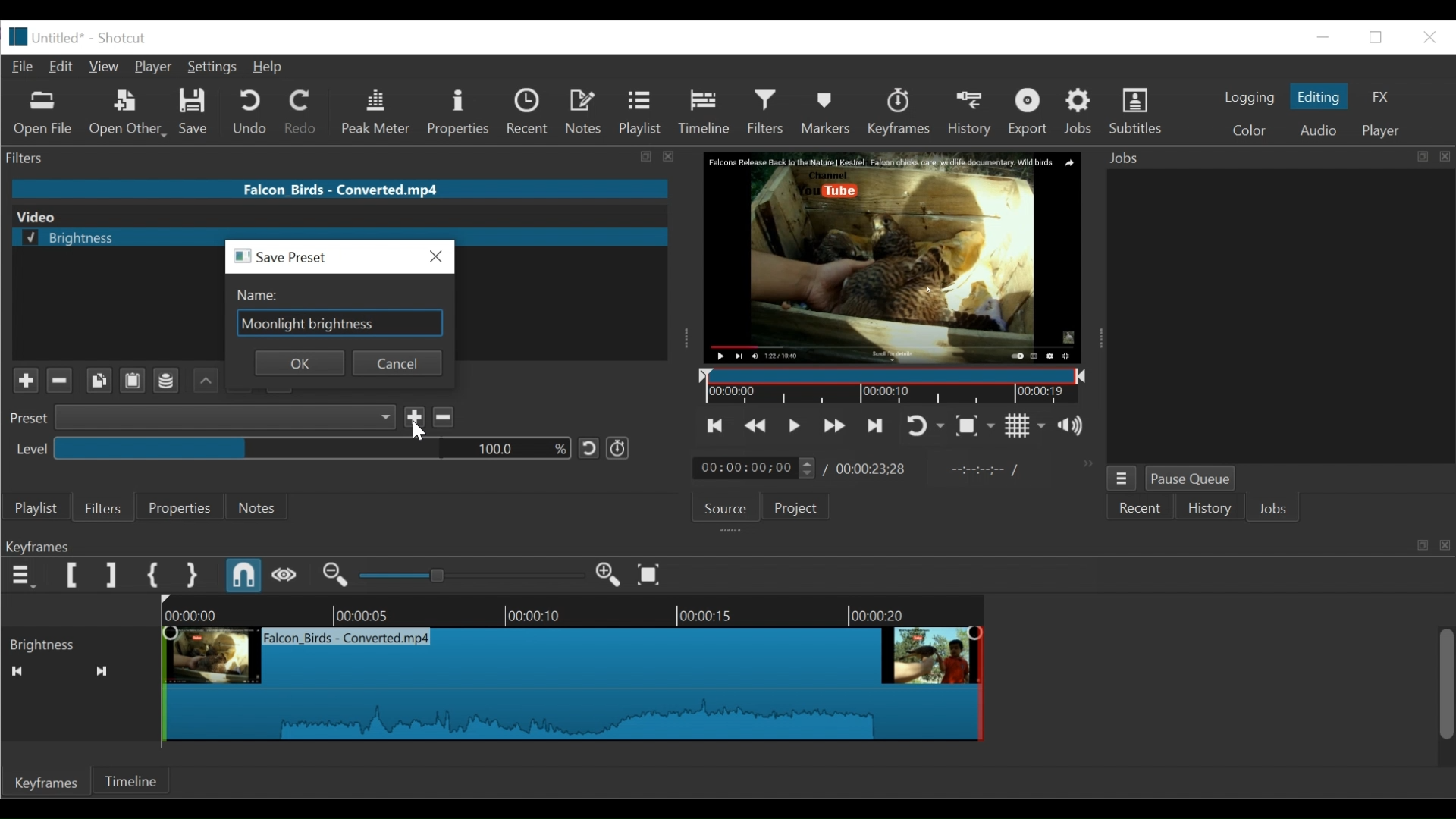 The height and width of the screenshot is (819, 1456). Describe the element at coordinates (245, 576) in the screenshot. I see `Snap` at that location.